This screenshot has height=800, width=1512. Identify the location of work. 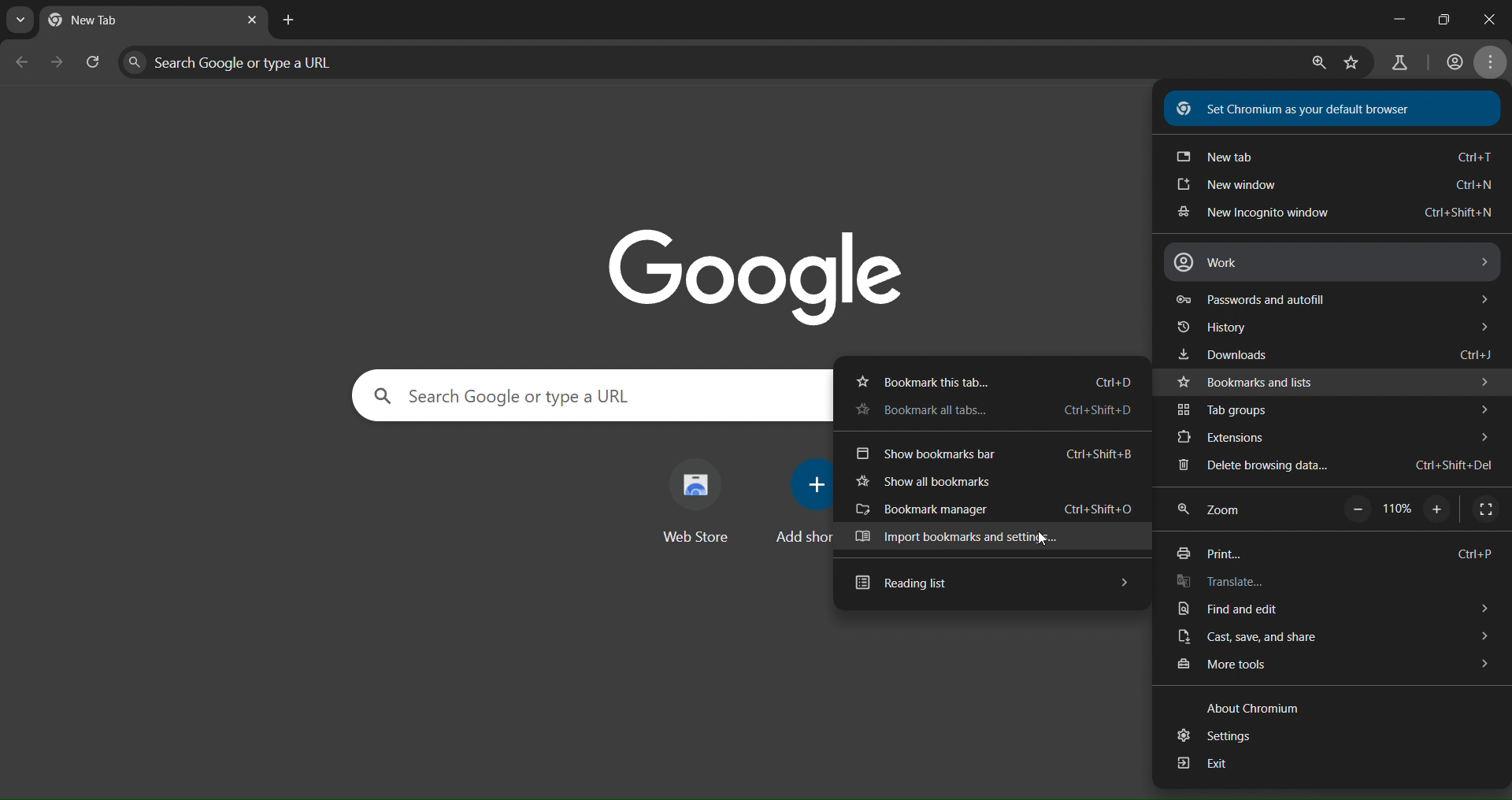
(1331, 261).